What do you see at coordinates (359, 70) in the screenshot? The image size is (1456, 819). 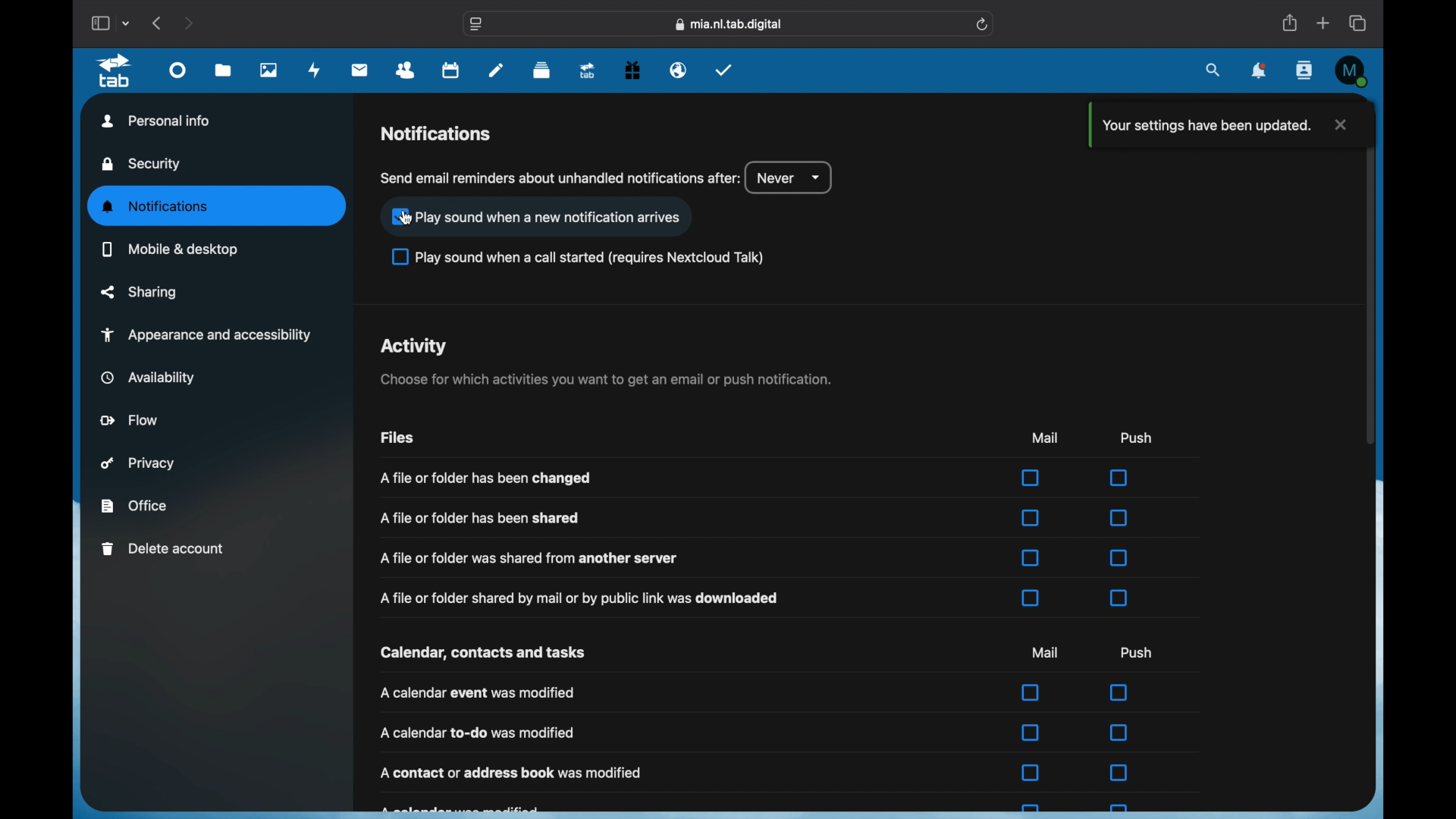 I see `mail` at bounding box center [359, 70].